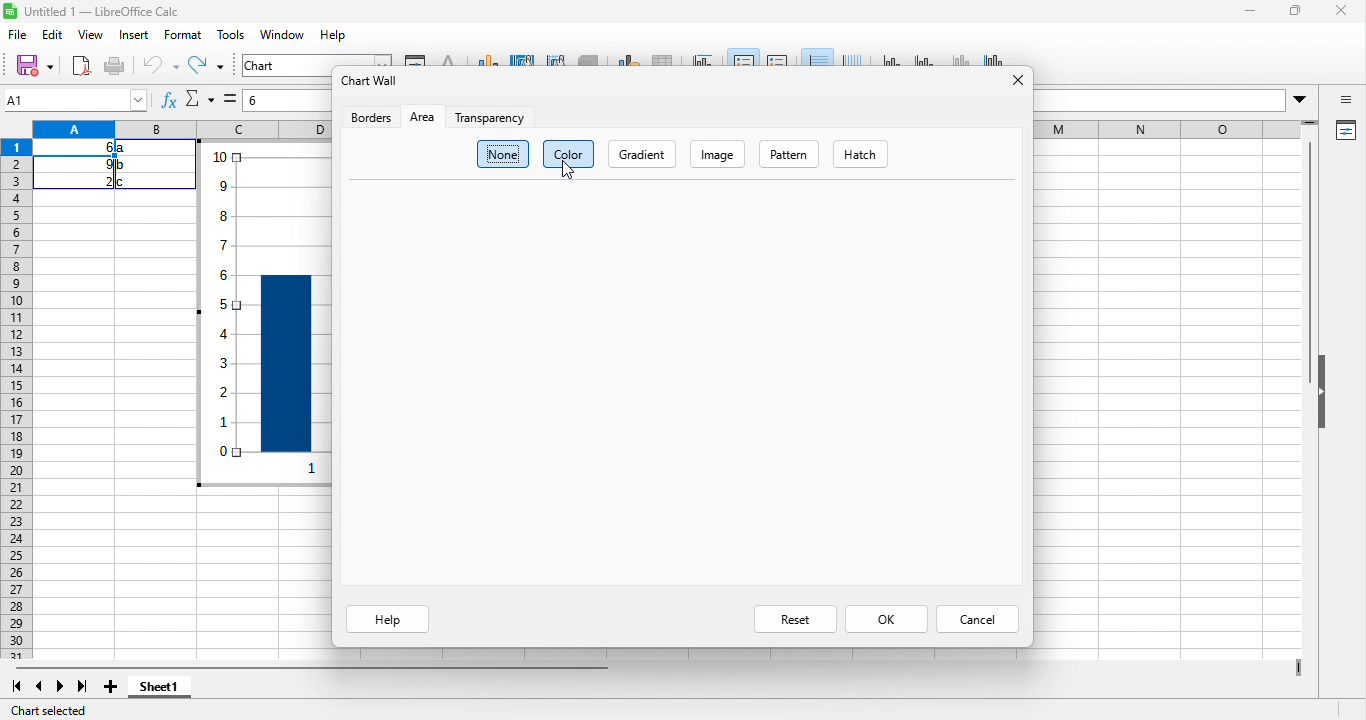  What do you see at coordinates (351, 670) in the screenshot?
I see `horizontal scroll bar` at bounding box center [351, 670].